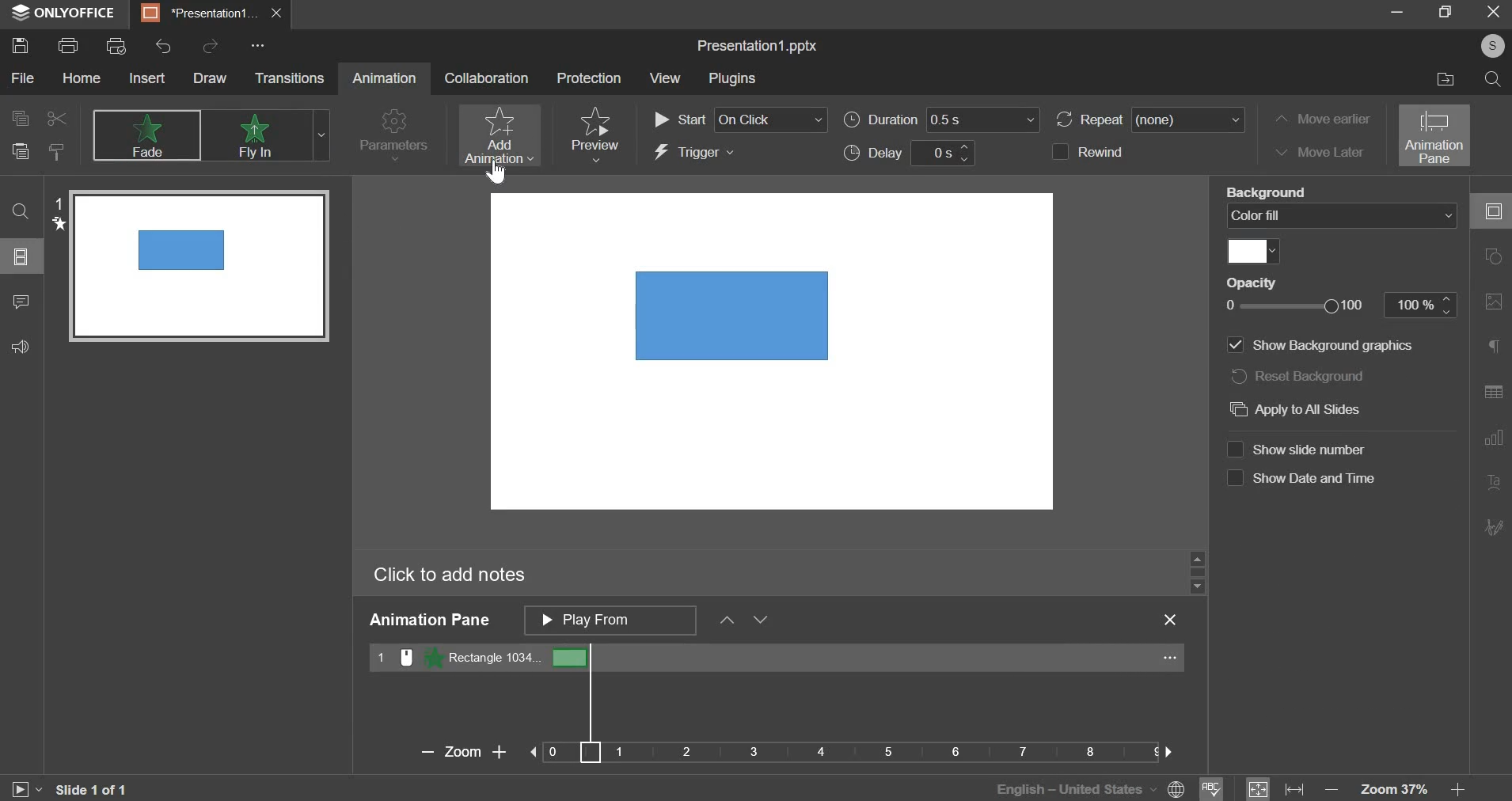  I want to click on Presentation1.pptx, so click(761, 44).